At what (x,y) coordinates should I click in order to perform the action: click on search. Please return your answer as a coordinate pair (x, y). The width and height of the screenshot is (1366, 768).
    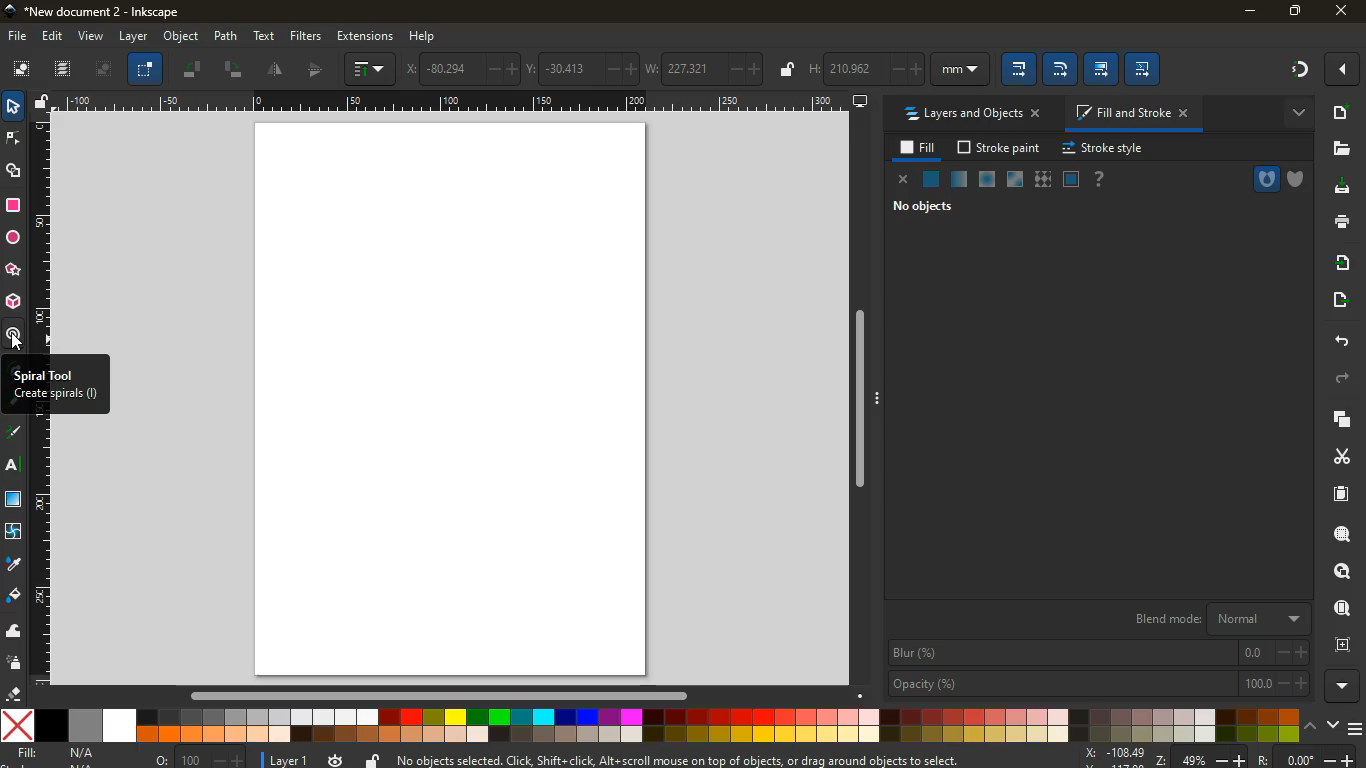
    Looking at the image, I should click on (1337, 537).